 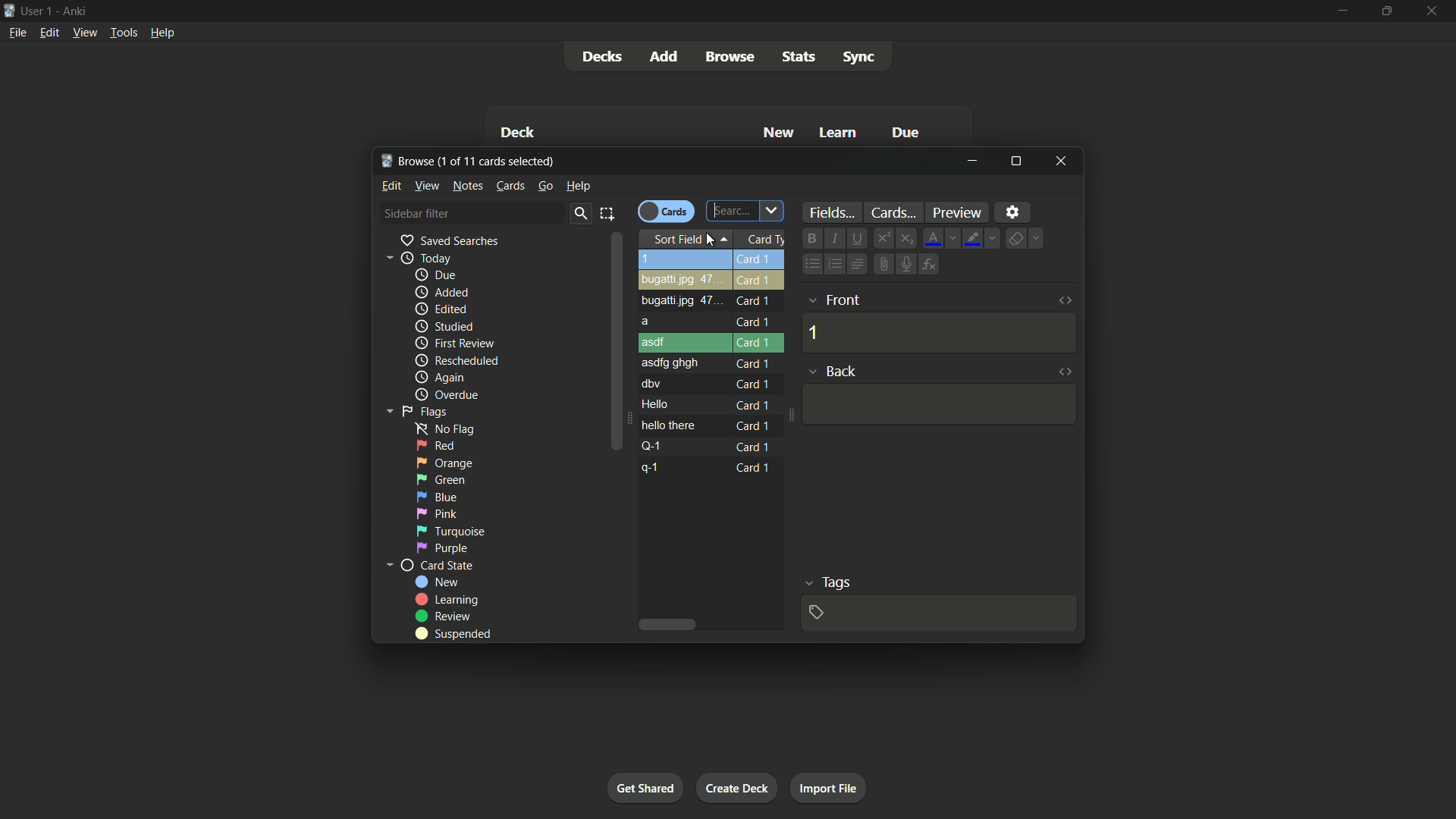 I want to click on equations, so click(x=929, y=265).